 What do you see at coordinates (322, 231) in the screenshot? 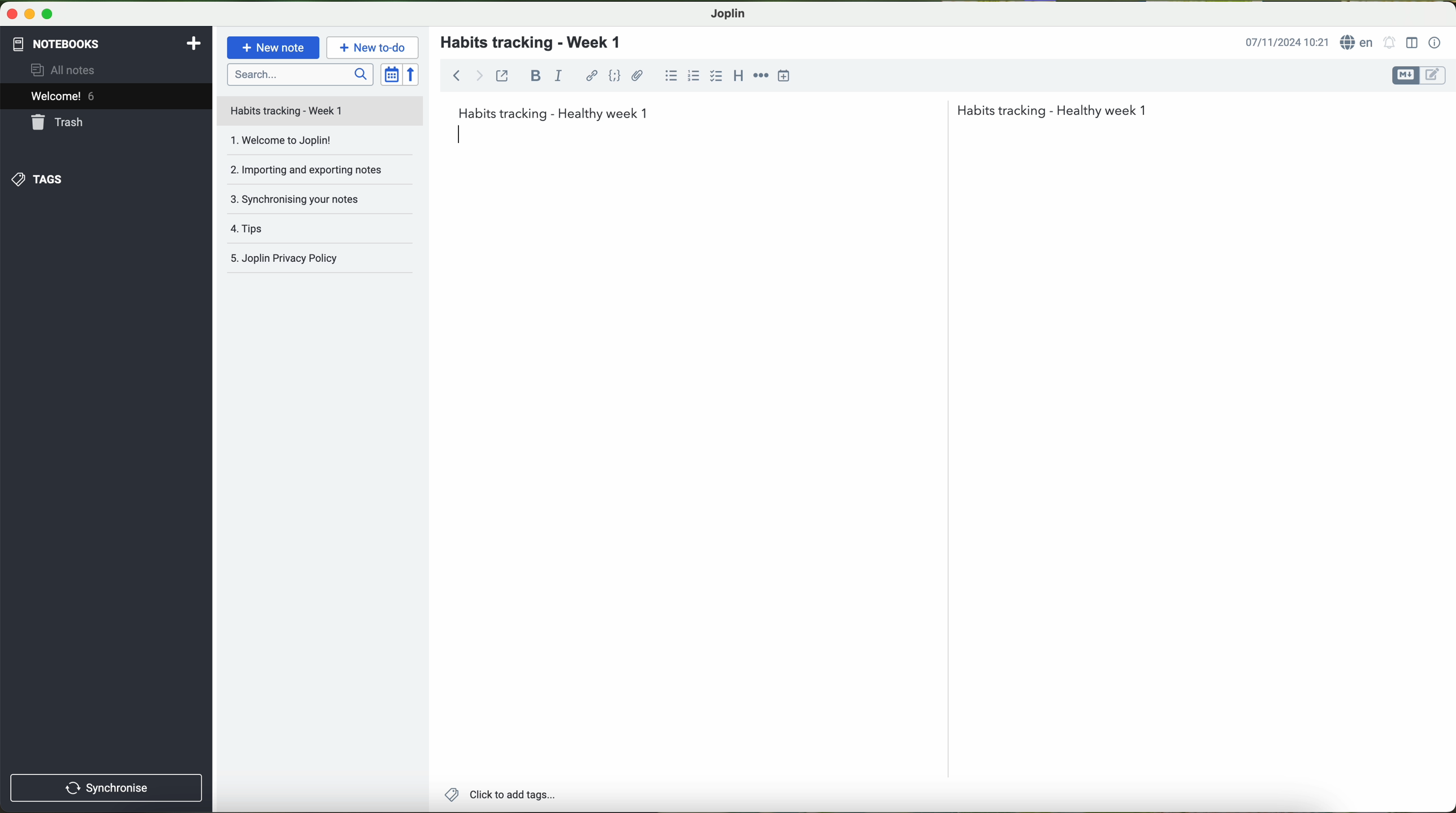
I see `tips` at bounding box center [322, 231].